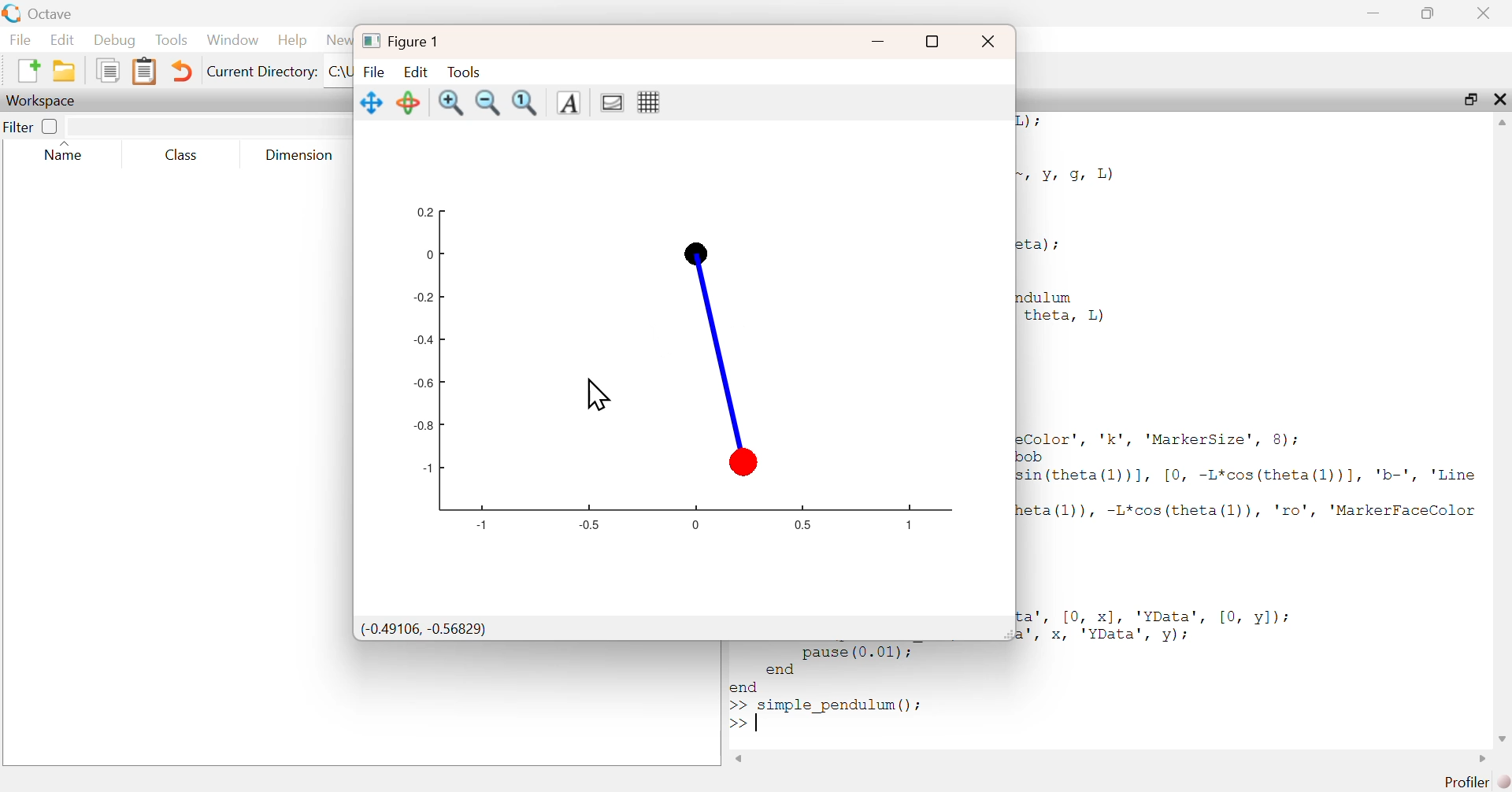 This screenshot has width=1512, height=792. Describe the element at coordinates (54, 13) in the screenshot. I see `Octave` at that location.